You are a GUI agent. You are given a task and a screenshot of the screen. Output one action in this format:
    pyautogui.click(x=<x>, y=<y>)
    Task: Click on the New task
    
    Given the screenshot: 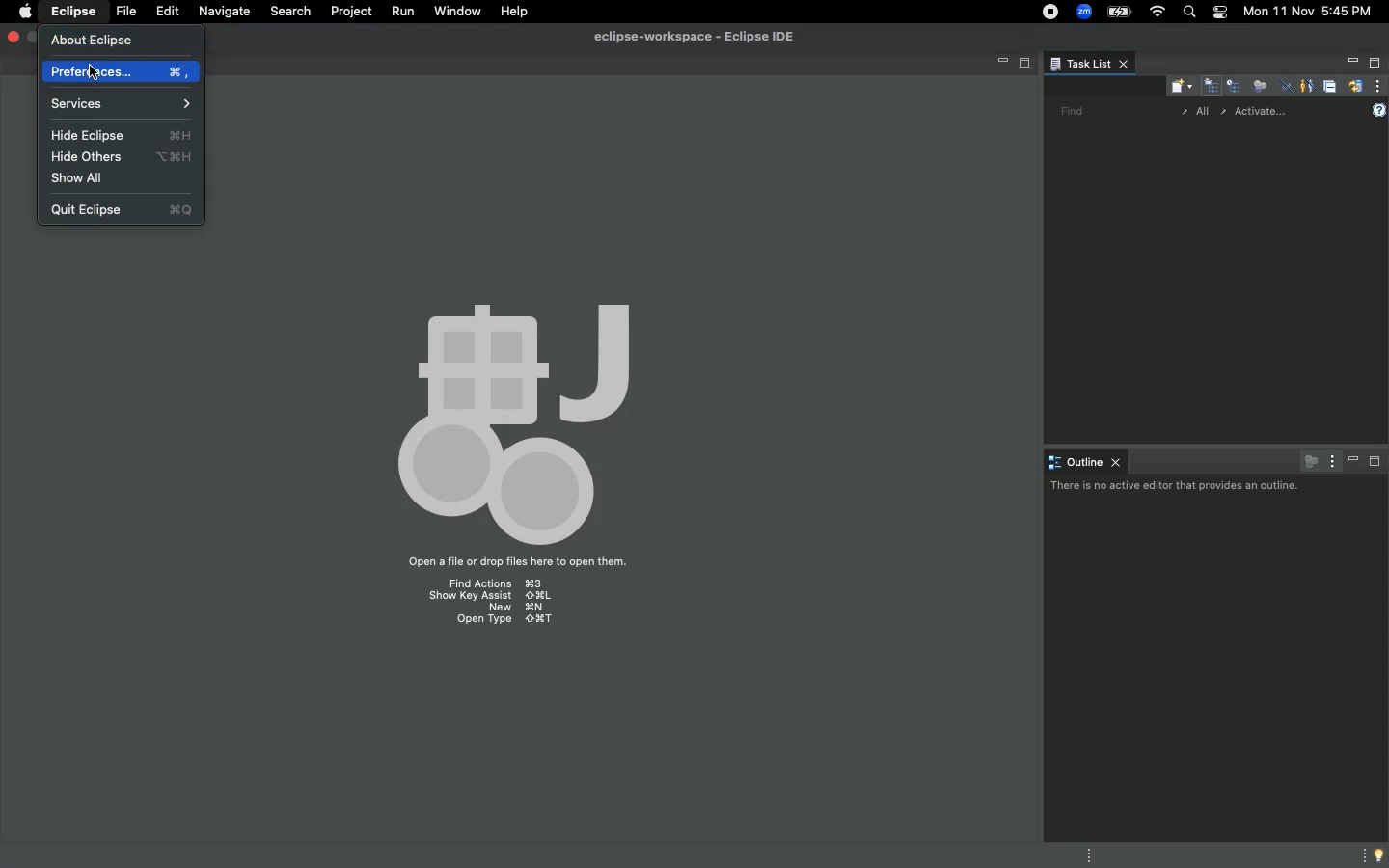 What is the action you would take?
    pyautogui.click(x=1178, y=85)
    